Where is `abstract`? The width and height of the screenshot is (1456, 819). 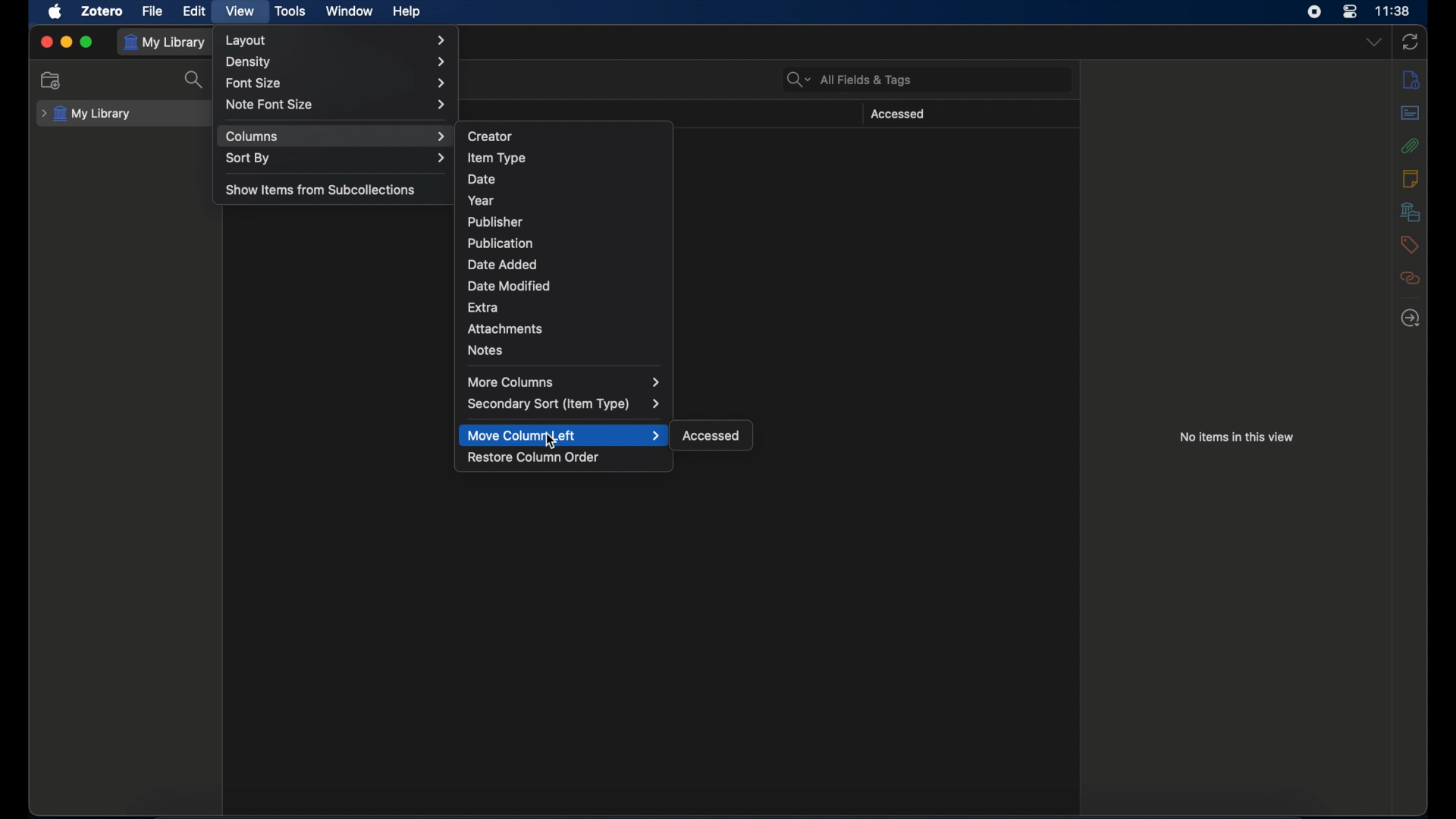 abstract is located at coordinates (1410, 113).